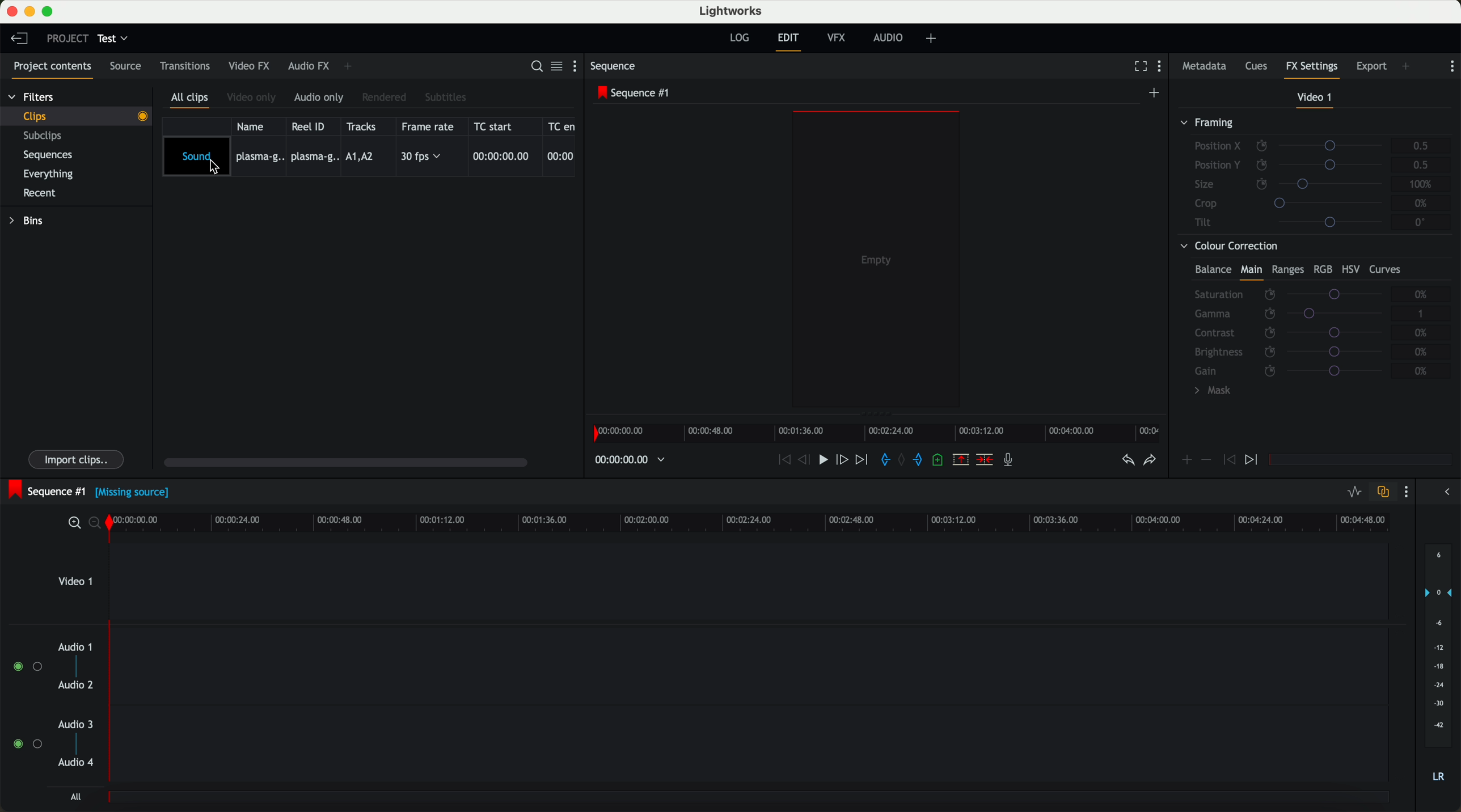  What do you see at coordinates (628, 460) in the screenshot?
I see `timer` at bounding box center [628, 460].